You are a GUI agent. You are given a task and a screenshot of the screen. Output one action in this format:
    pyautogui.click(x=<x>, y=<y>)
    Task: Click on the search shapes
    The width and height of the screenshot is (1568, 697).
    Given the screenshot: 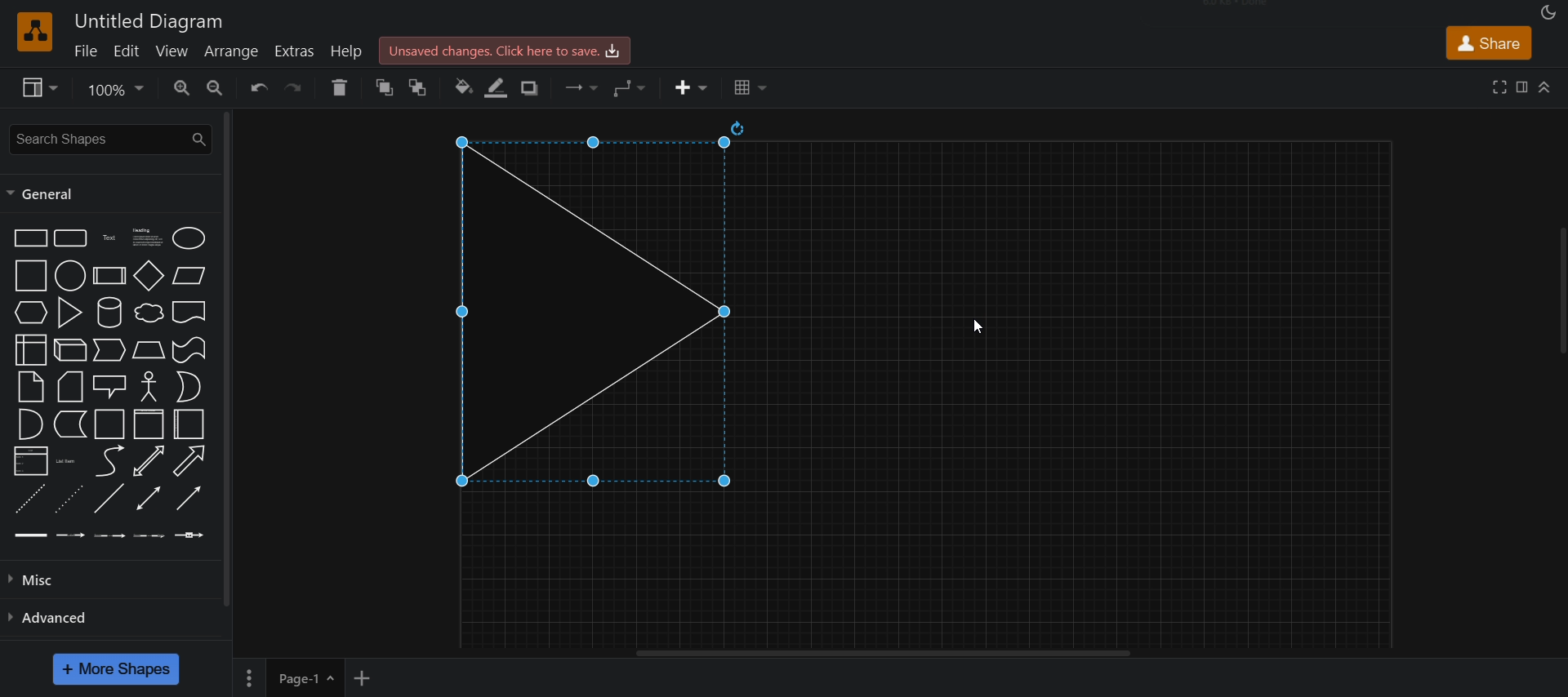 What is the action you would take?
    pyautogui.click(x=109, y=139)
    